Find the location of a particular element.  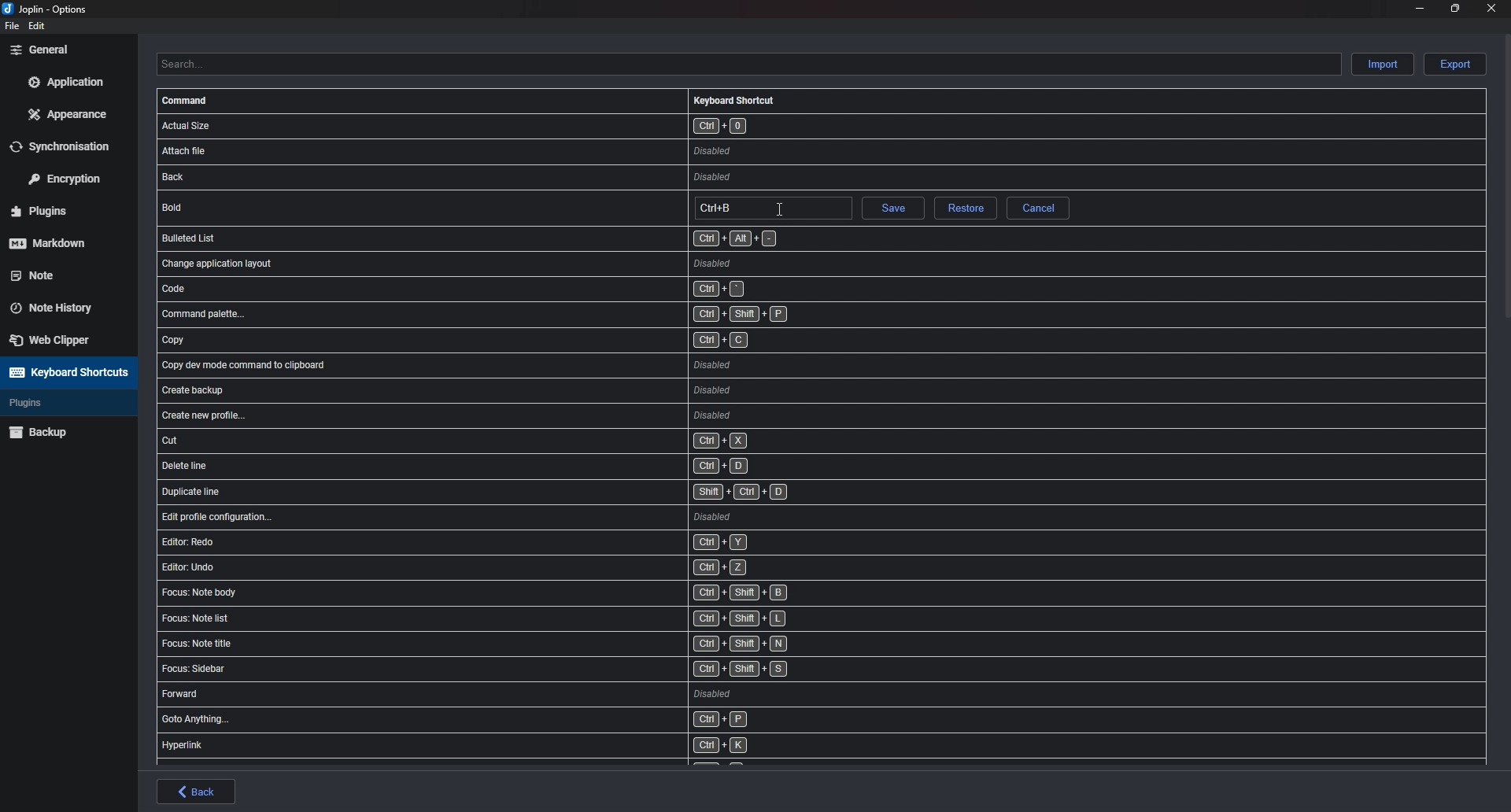

cursor is located at coordinates (784, 209).